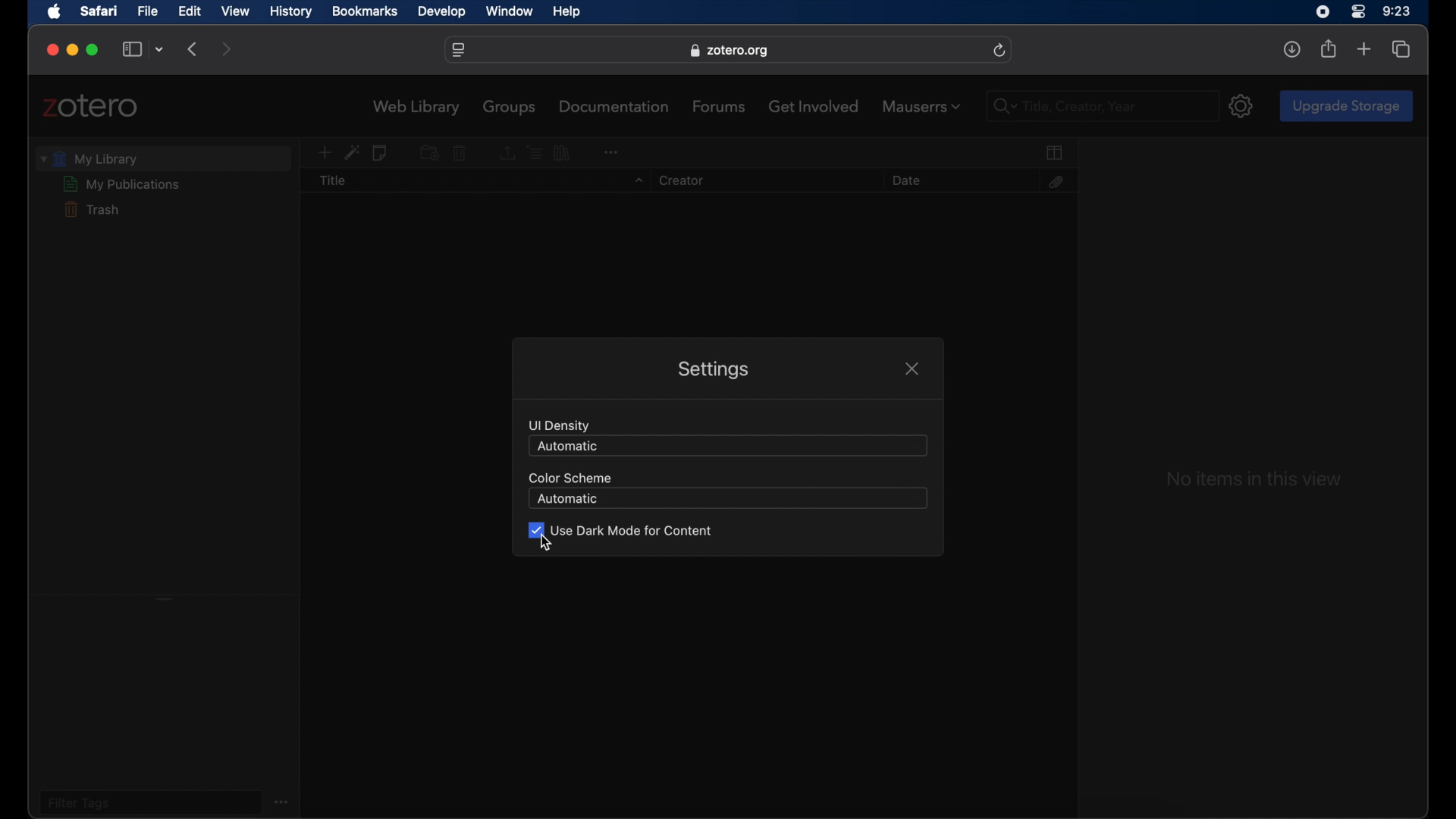 The width and height of the screenshot is (1456, 819). I want to click on show tab overview, so click(1401, 49).